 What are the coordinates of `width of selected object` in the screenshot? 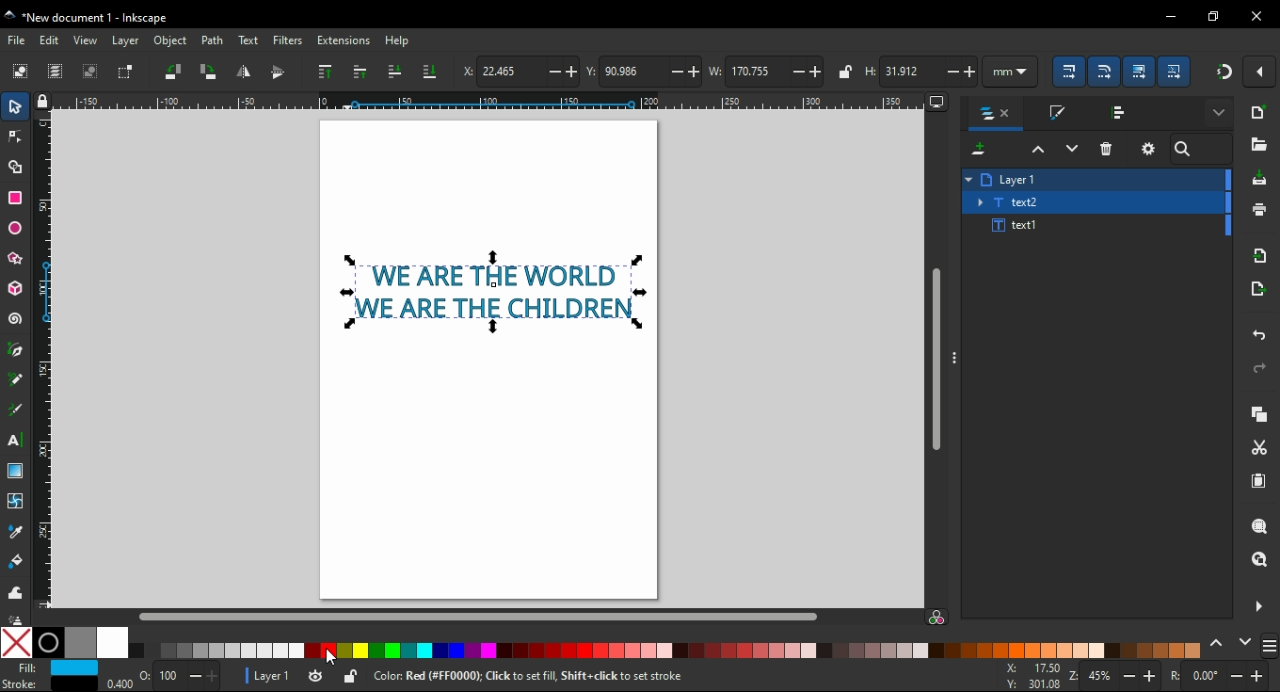 It's located at (766, 70).